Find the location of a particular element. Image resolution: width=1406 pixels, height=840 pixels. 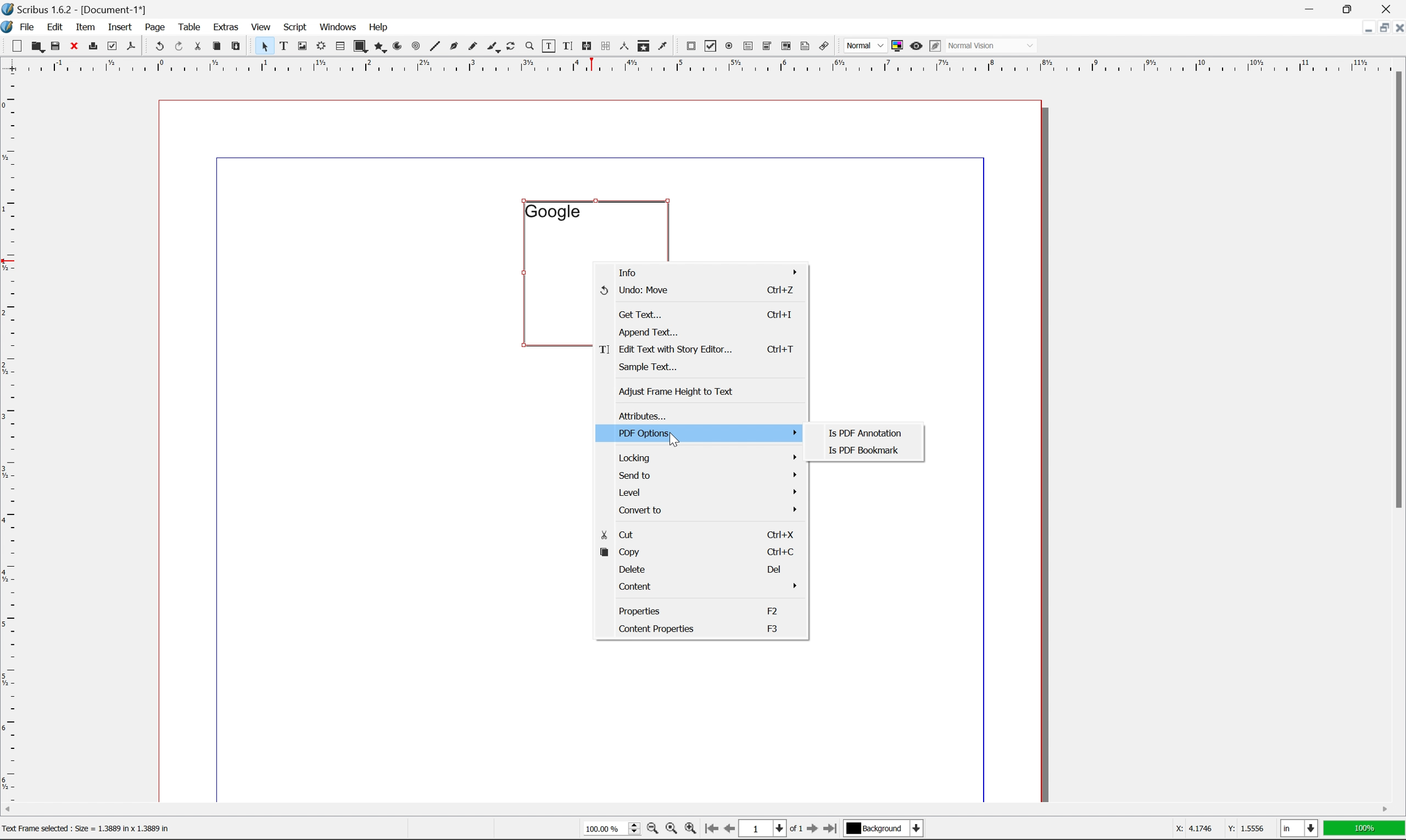

close is located at coordinates (1397, 27).